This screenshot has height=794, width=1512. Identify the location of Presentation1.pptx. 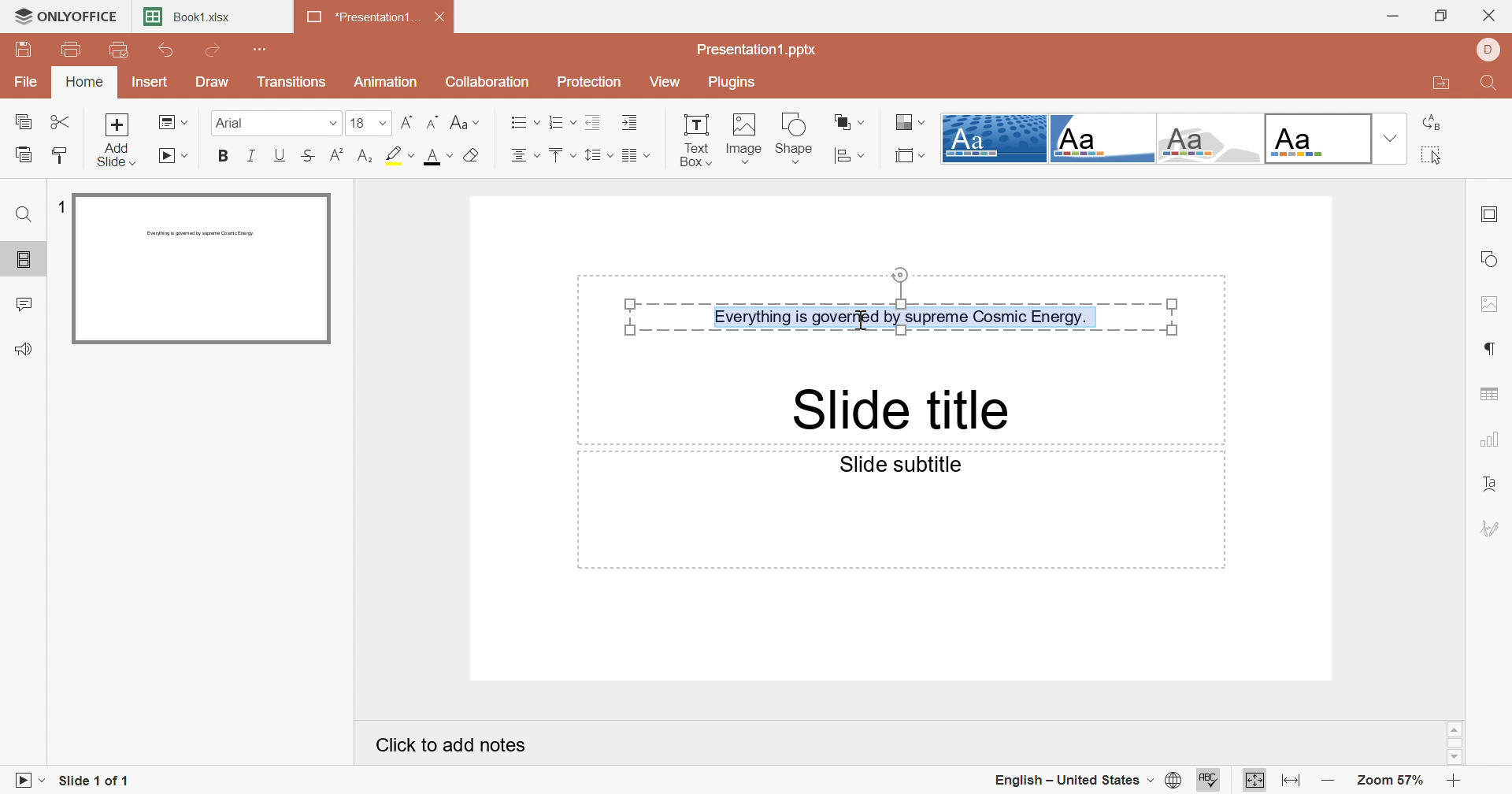
(758, 49).